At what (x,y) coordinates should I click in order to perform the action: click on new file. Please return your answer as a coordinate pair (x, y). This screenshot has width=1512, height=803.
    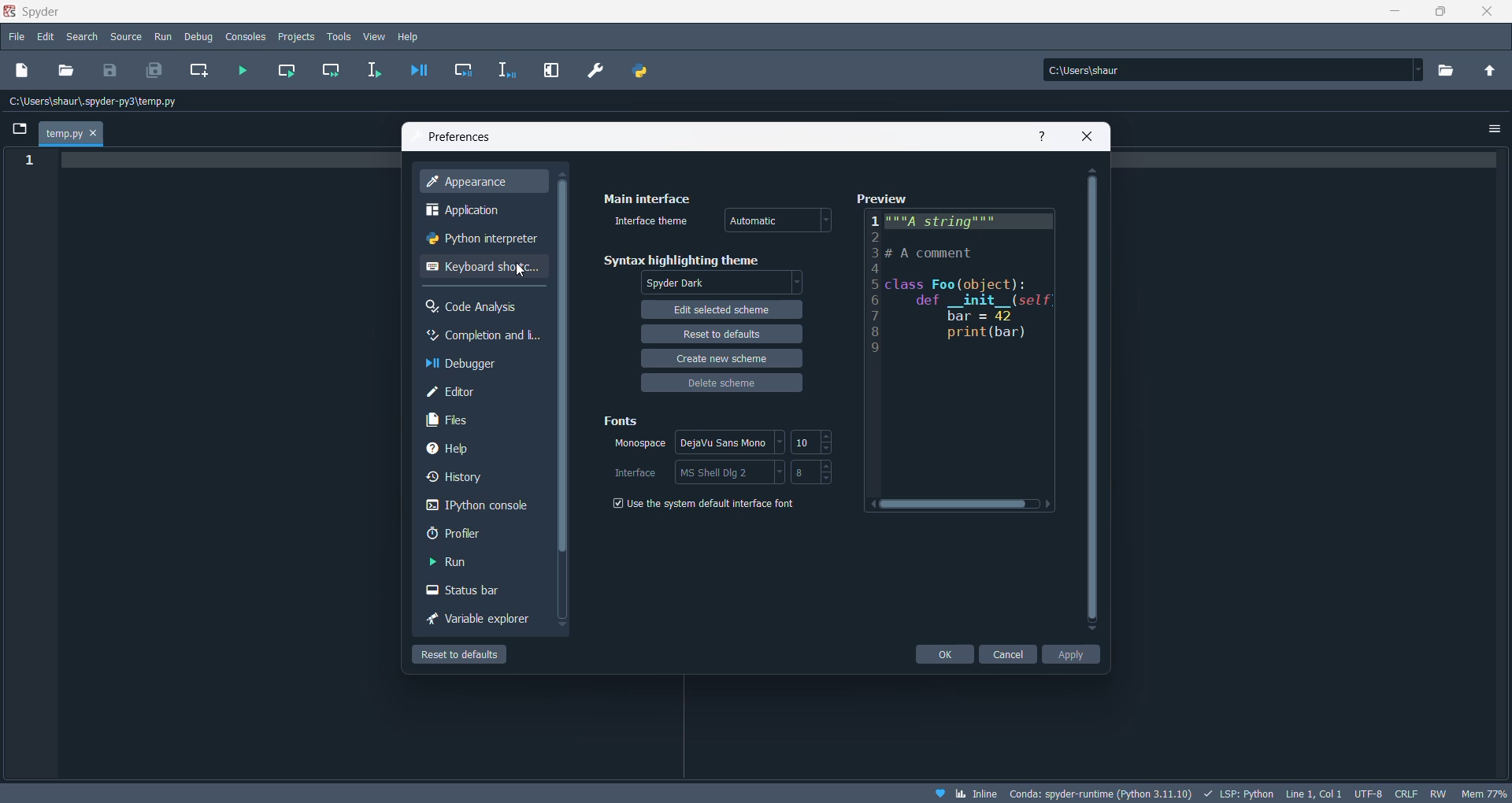
    Looking at the image, I should click on (23, 72).